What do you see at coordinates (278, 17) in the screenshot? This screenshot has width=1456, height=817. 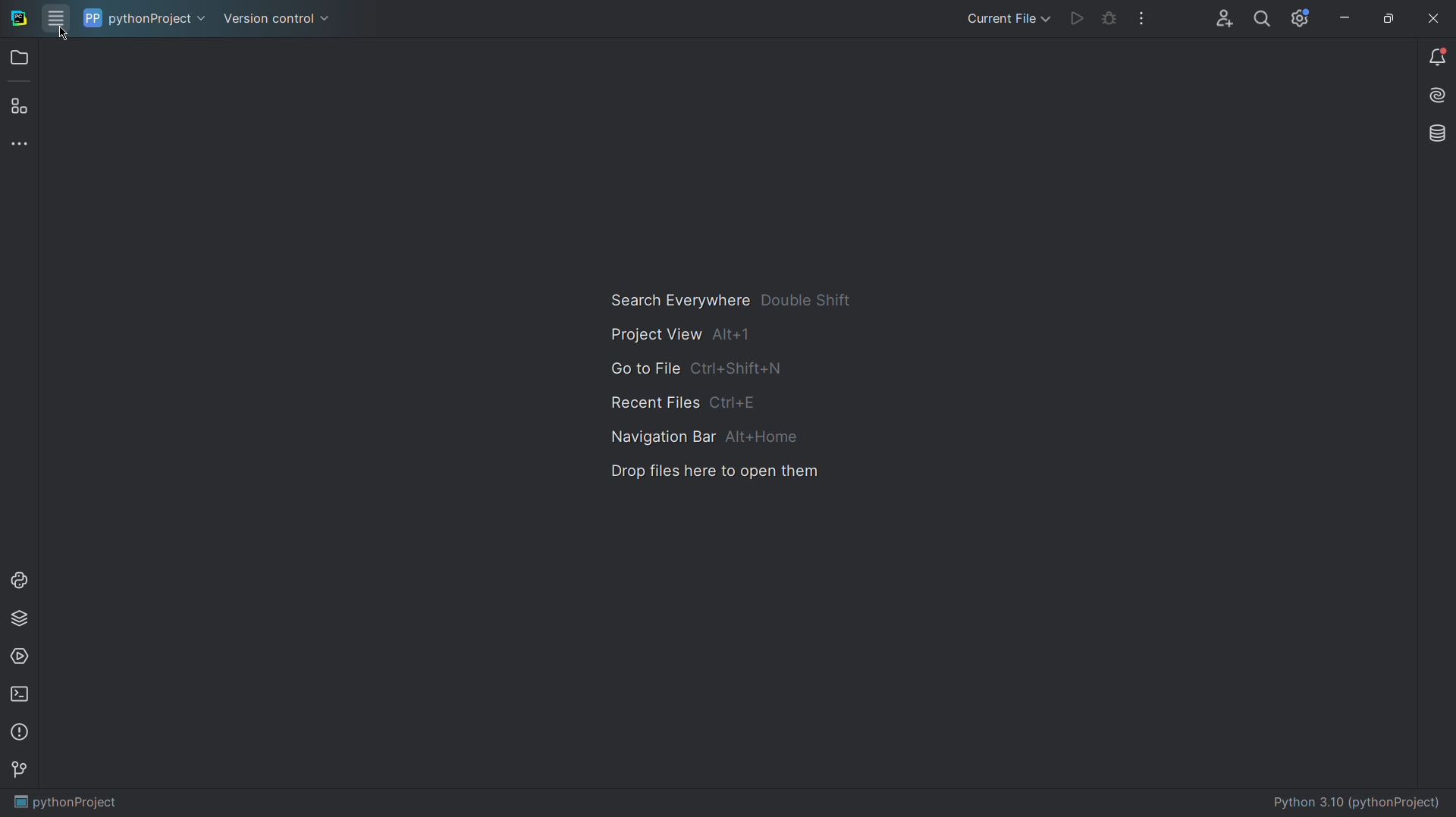 I see `Version control` at bounding box center [278, 17].